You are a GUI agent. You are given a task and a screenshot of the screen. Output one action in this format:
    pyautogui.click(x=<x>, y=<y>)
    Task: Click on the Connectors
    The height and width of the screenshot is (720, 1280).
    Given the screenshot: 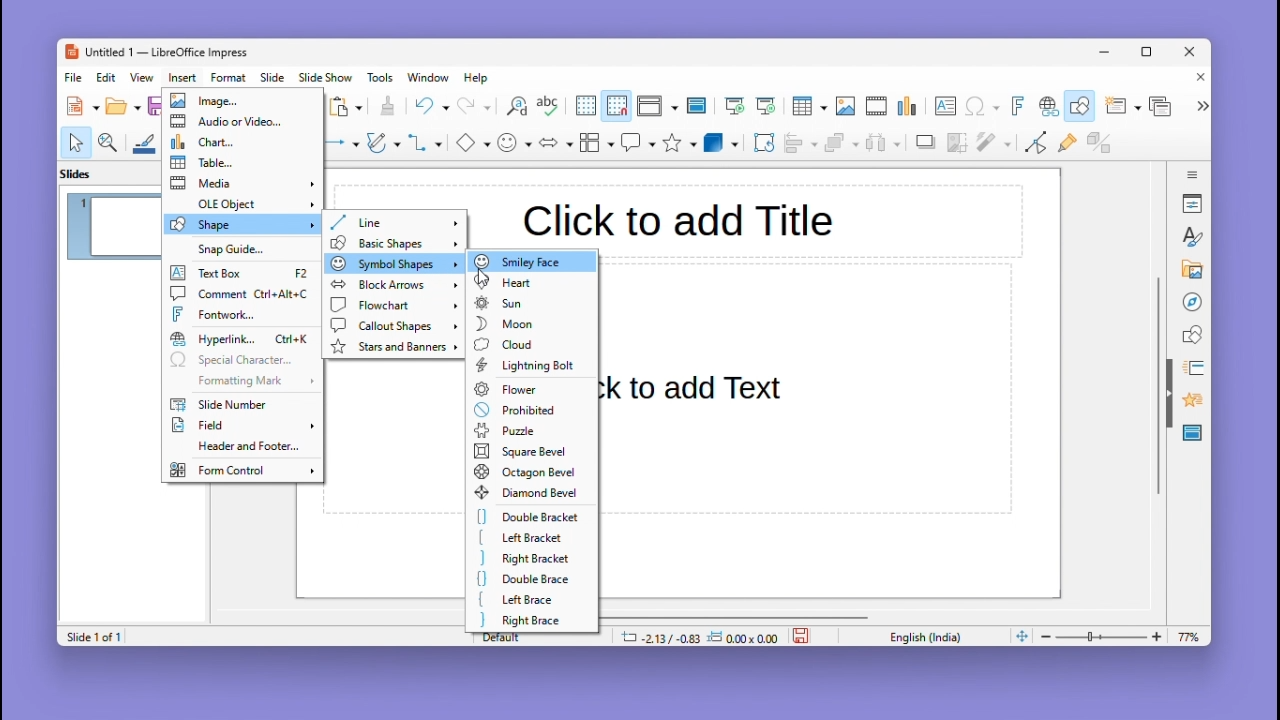 What is the action you would take?
    pyautogui.click(x=425, y=142)
    